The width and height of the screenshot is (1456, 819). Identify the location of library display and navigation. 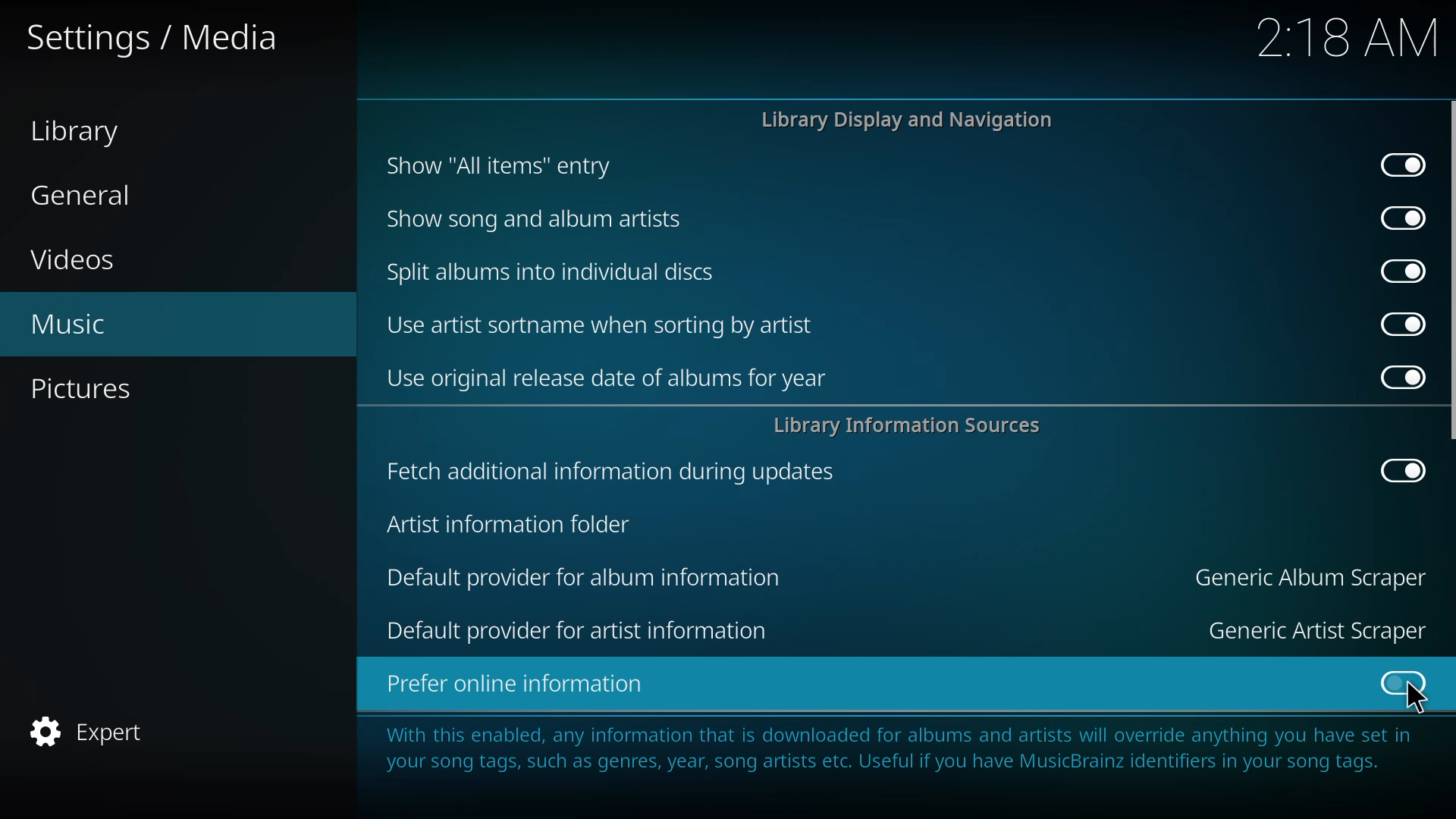
(906, 120).